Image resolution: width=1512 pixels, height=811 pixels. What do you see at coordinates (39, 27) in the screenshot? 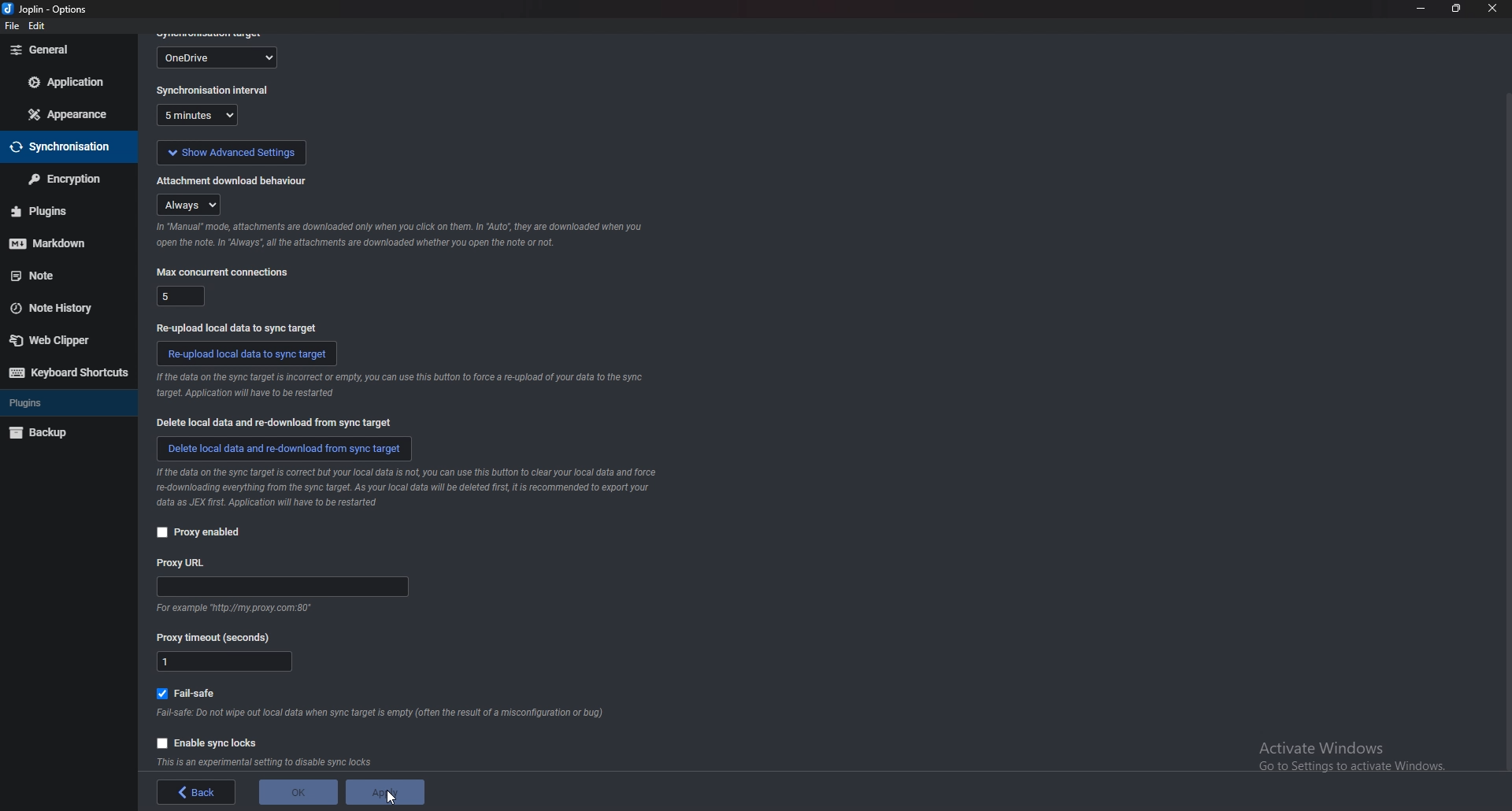
I see `edit` at bounding box center [39, 27].